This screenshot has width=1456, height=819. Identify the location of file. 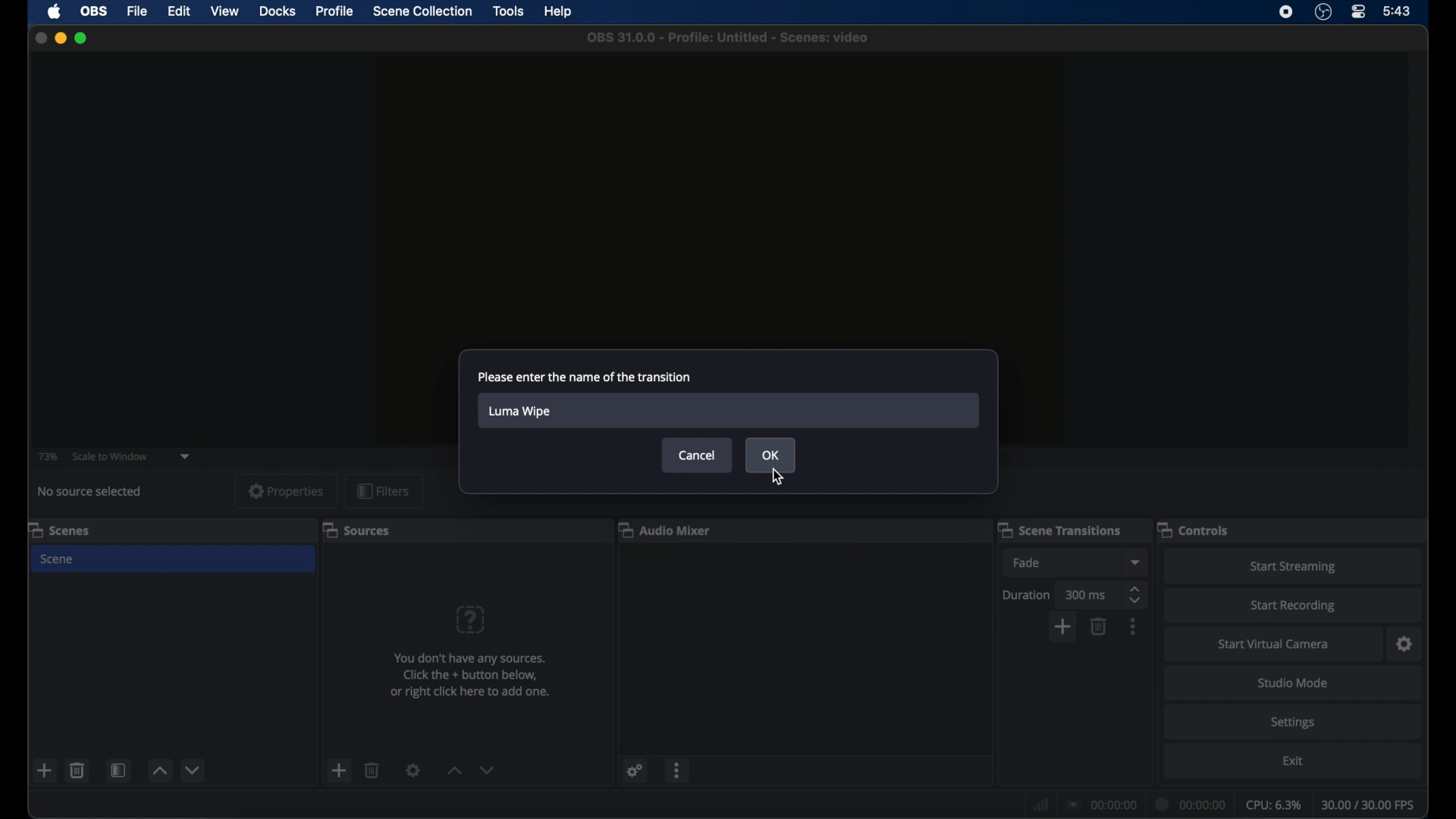
(137, 11).